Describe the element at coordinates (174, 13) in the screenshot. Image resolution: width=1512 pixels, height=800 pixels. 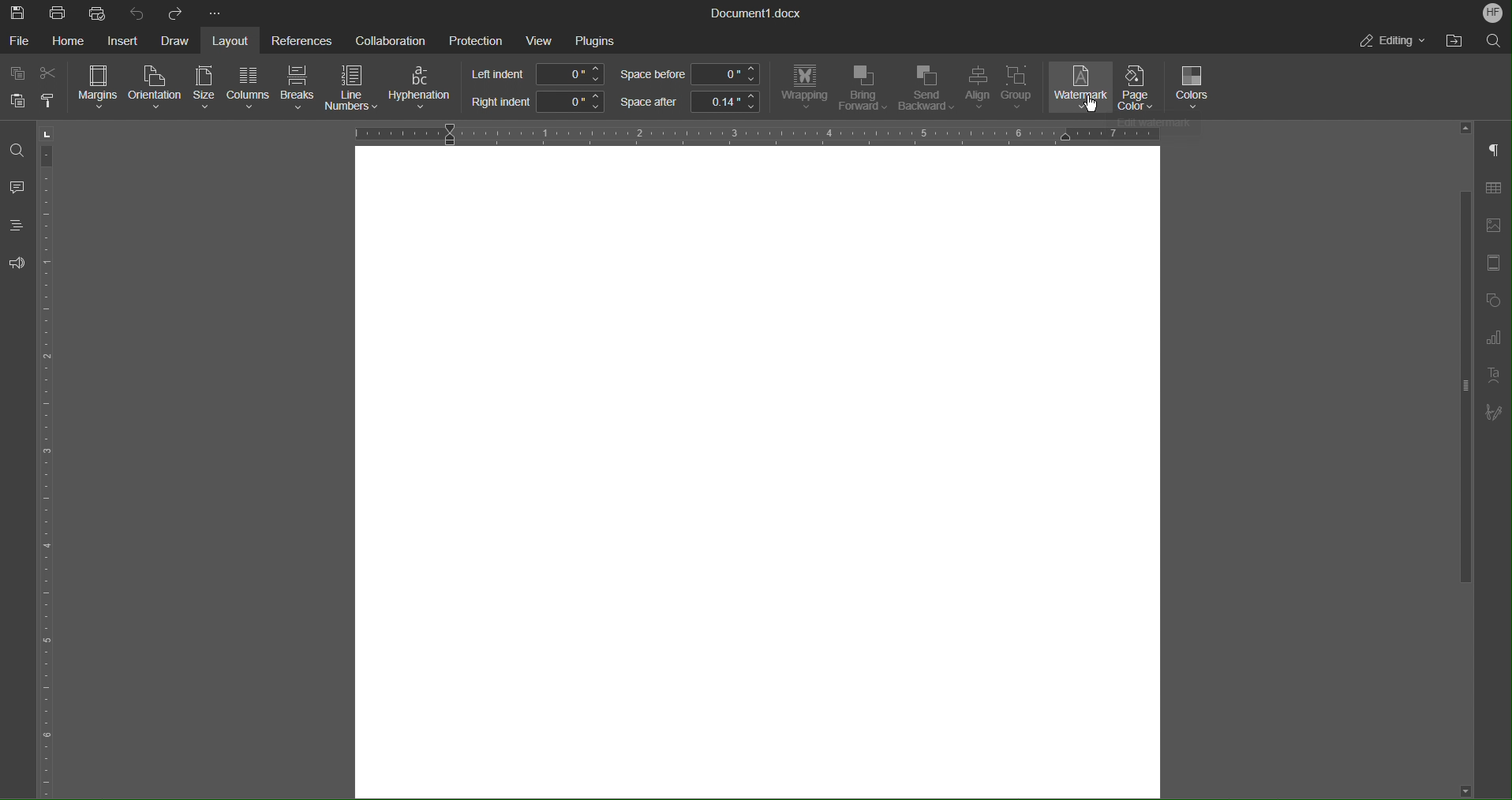
I see `Redo` at that location.